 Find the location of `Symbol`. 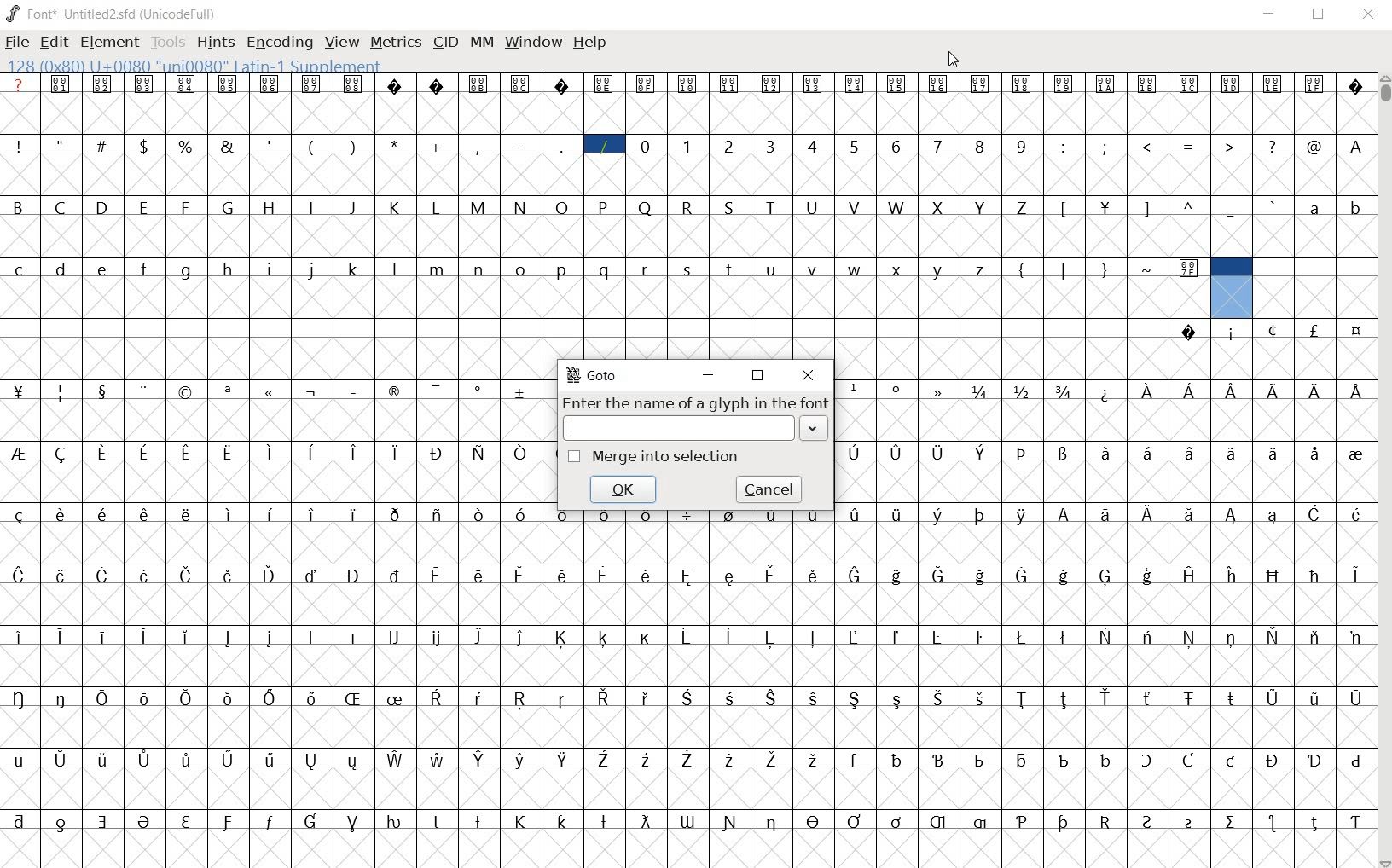

Symbol is located at coordinates (439, 758).